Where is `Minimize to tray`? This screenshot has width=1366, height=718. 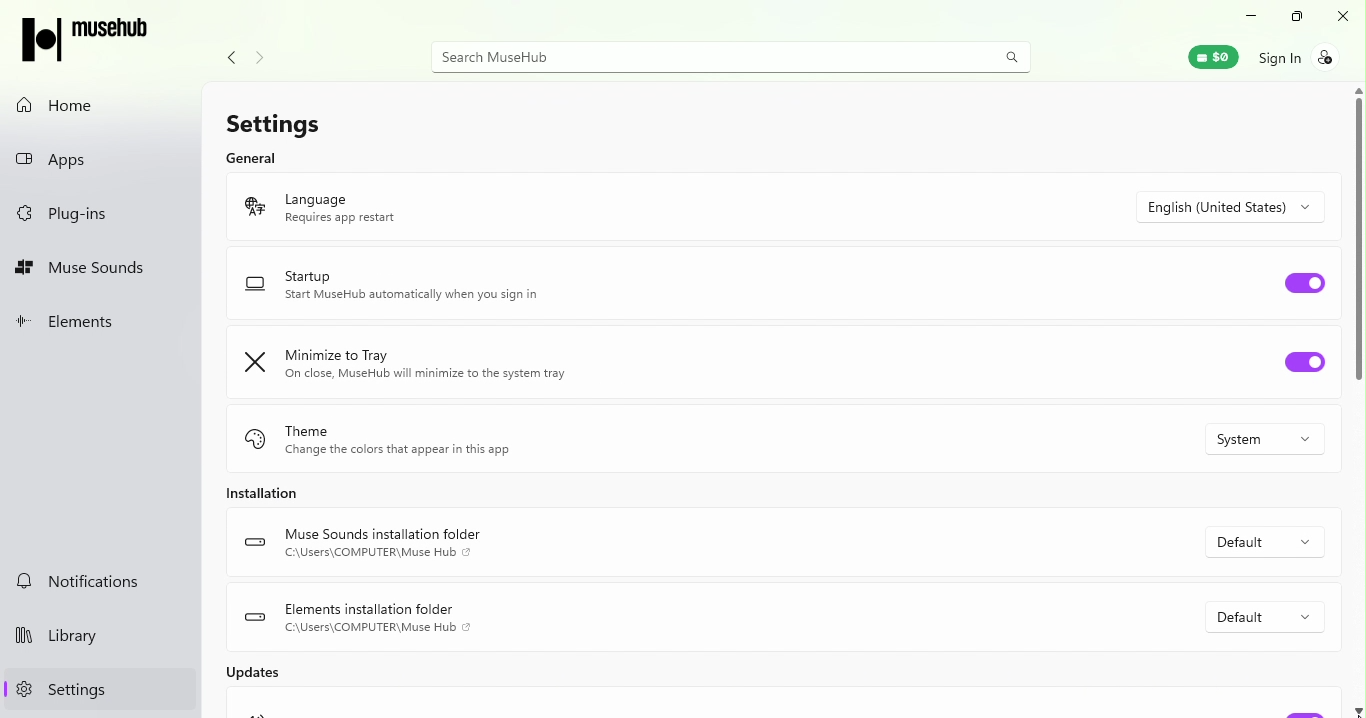
Minimize to tray is located at coordinates (407, 366).